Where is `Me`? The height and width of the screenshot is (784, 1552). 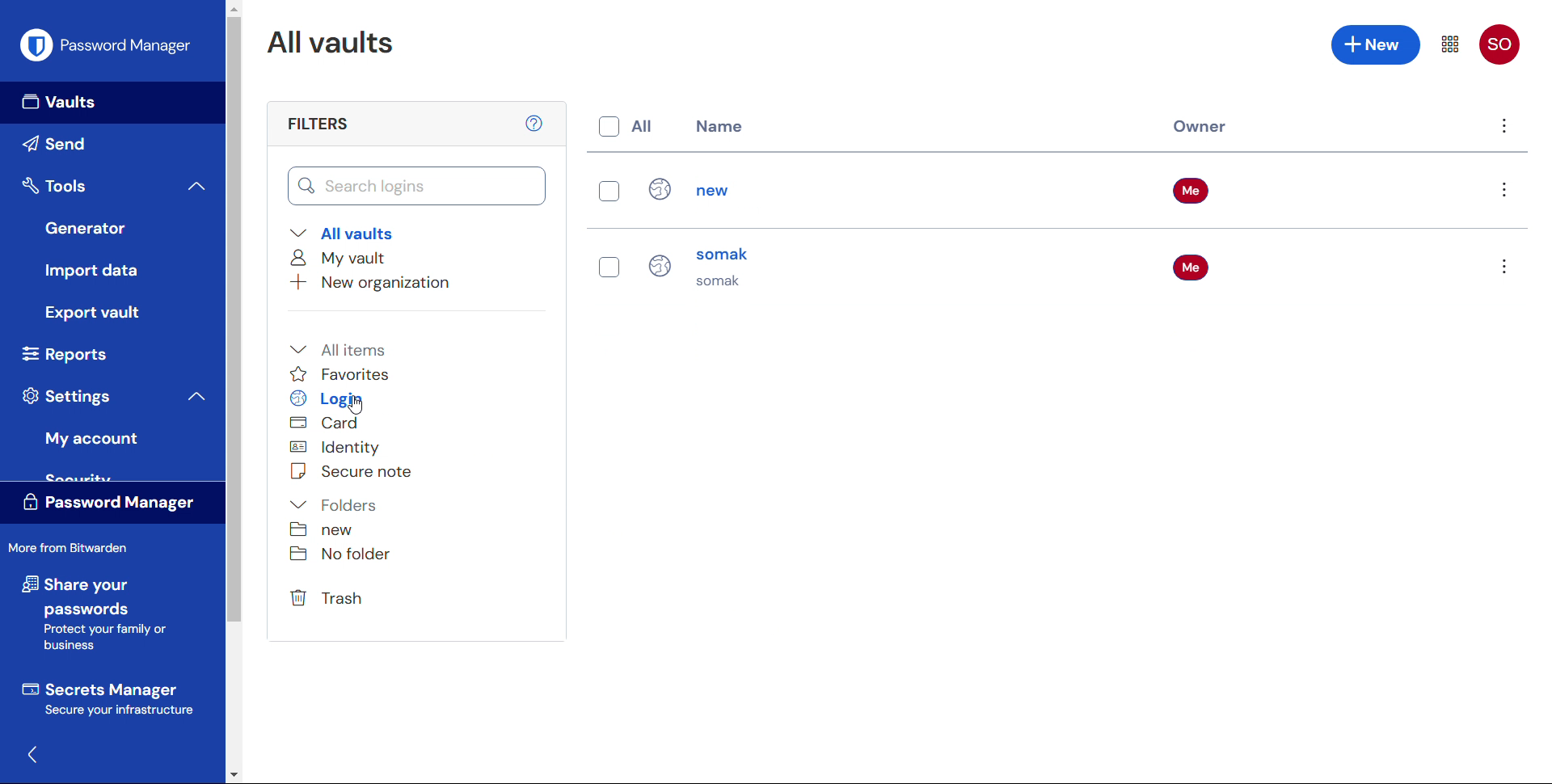
Me is located at coordinates (1190, 188).